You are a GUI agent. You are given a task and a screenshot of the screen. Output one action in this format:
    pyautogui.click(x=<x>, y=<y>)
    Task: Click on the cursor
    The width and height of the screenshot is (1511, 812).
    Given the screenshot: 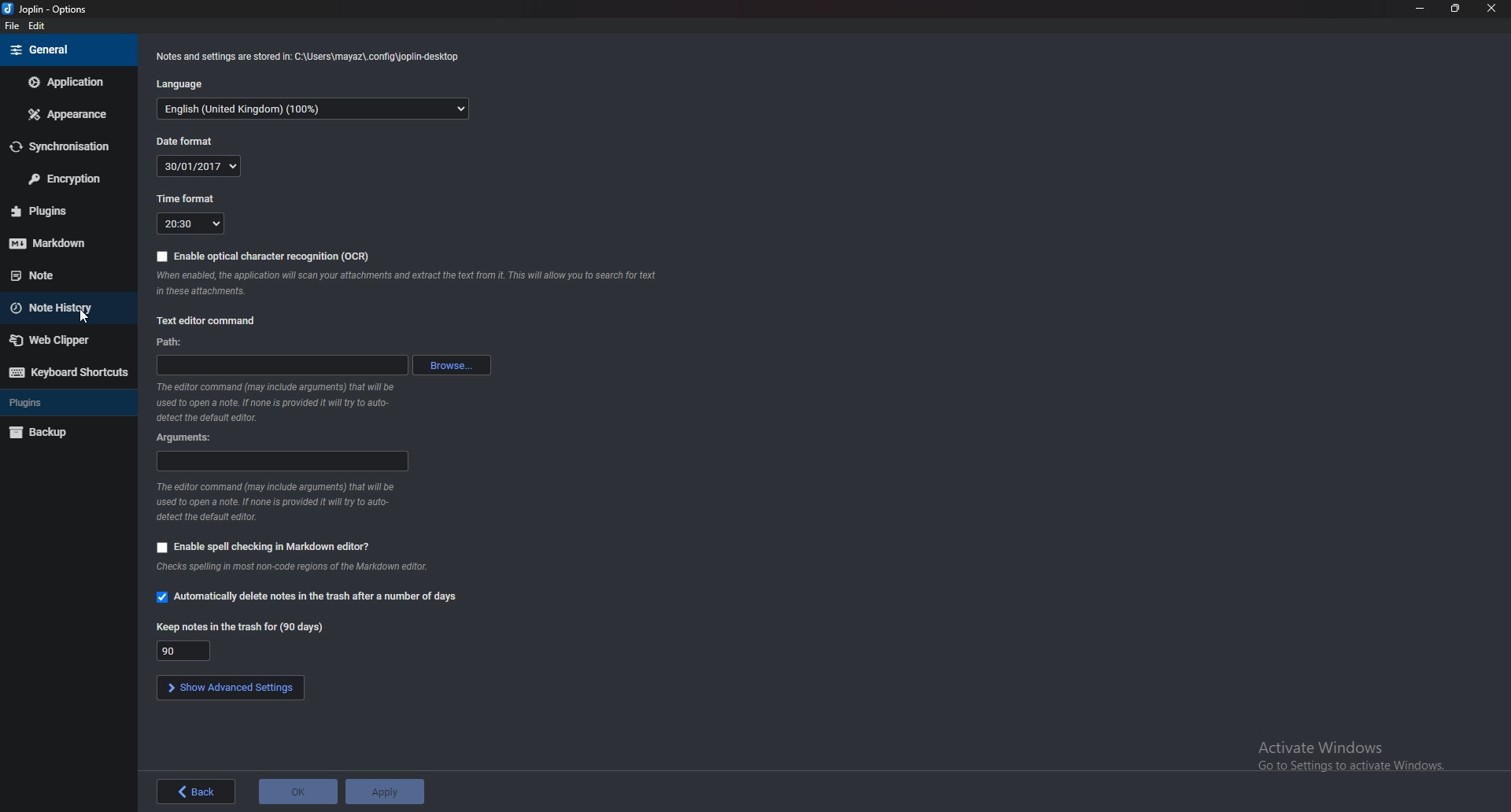 What is the action you would take?
    pyautogui.click(x=87, y=318)
    